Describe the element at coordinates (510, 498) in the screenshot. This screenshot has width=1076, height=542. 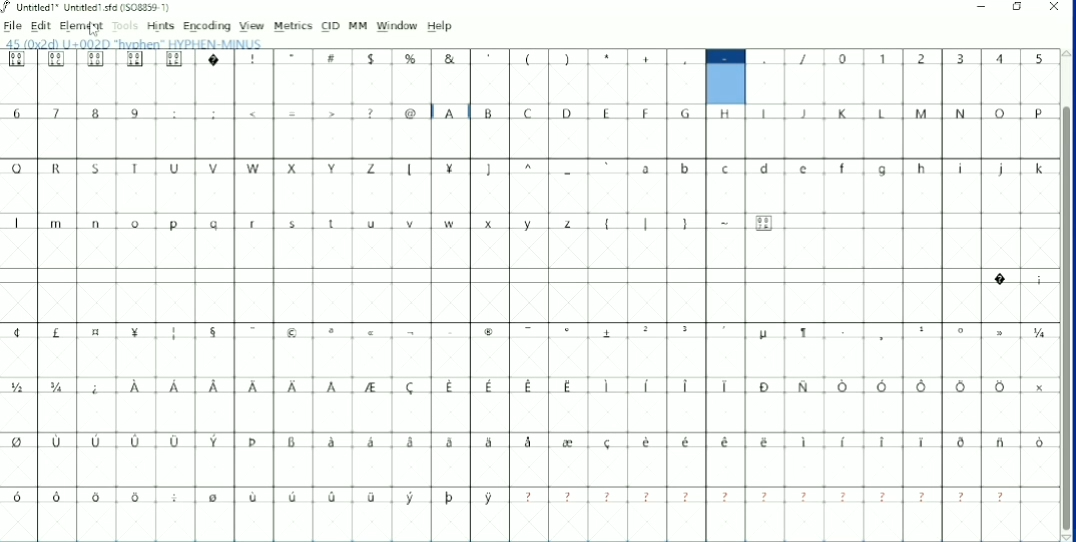
I see `Symbols` at that location.